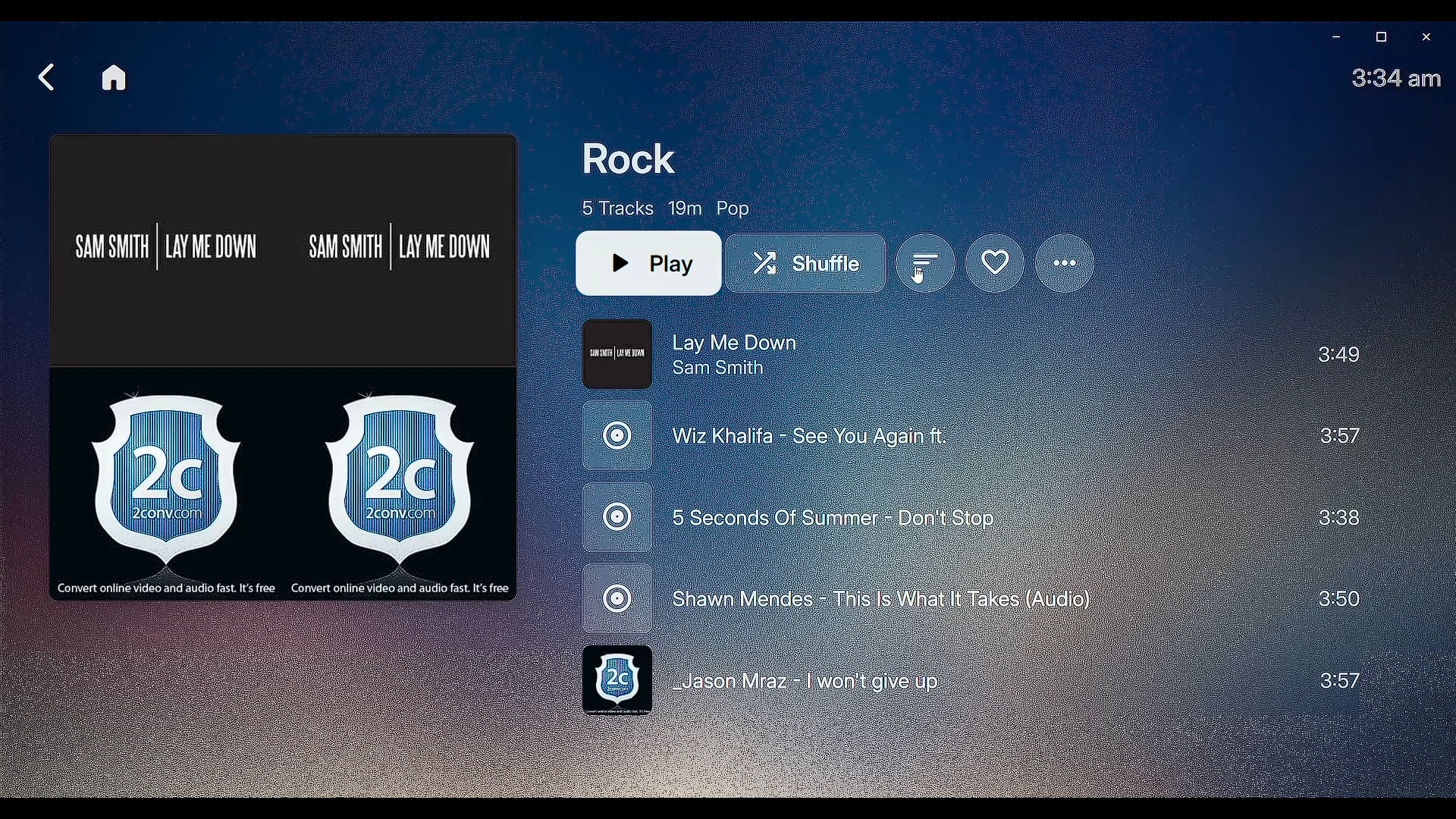 This screenshot has height=819, width=1456. I want to click on Options, so click(1067, 263).